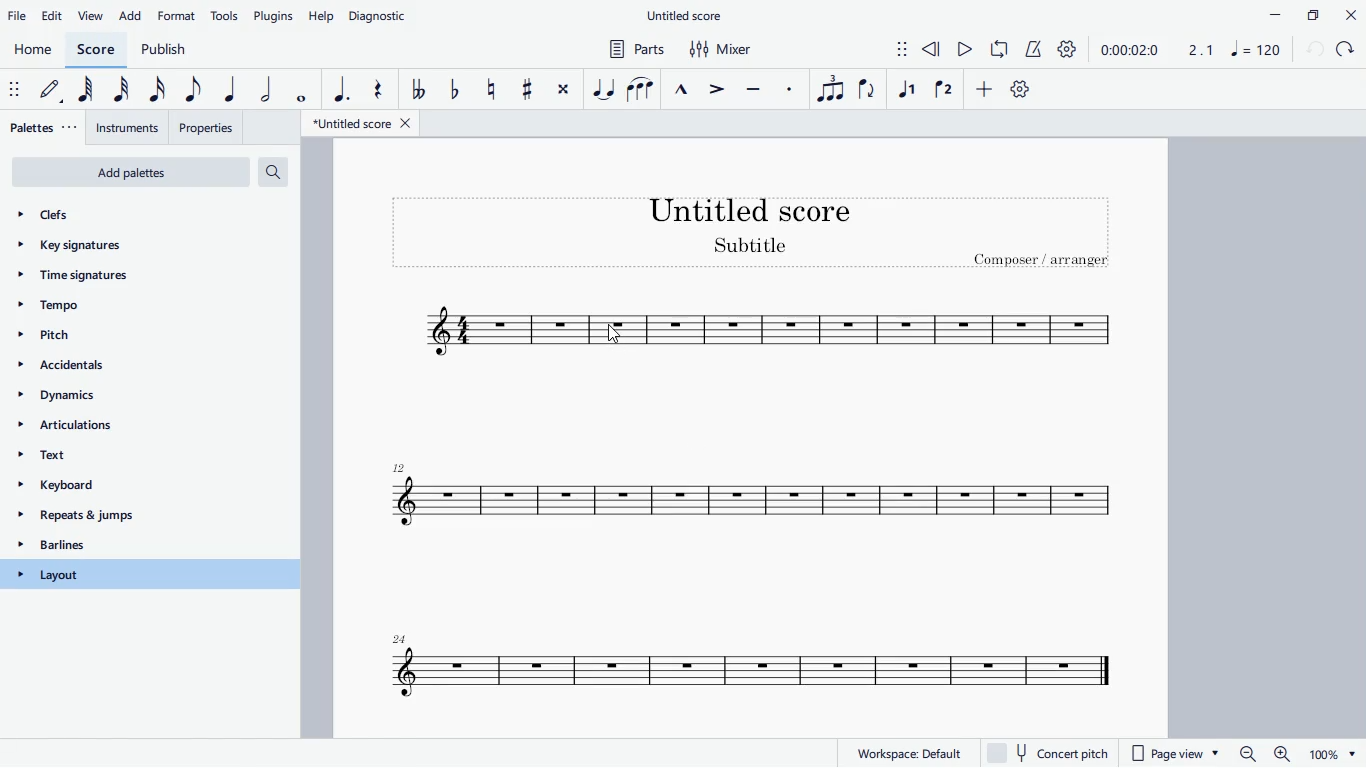  Describe the element at coordinates (383, 13) in the screenshot. I see `diagnostic` at that location.